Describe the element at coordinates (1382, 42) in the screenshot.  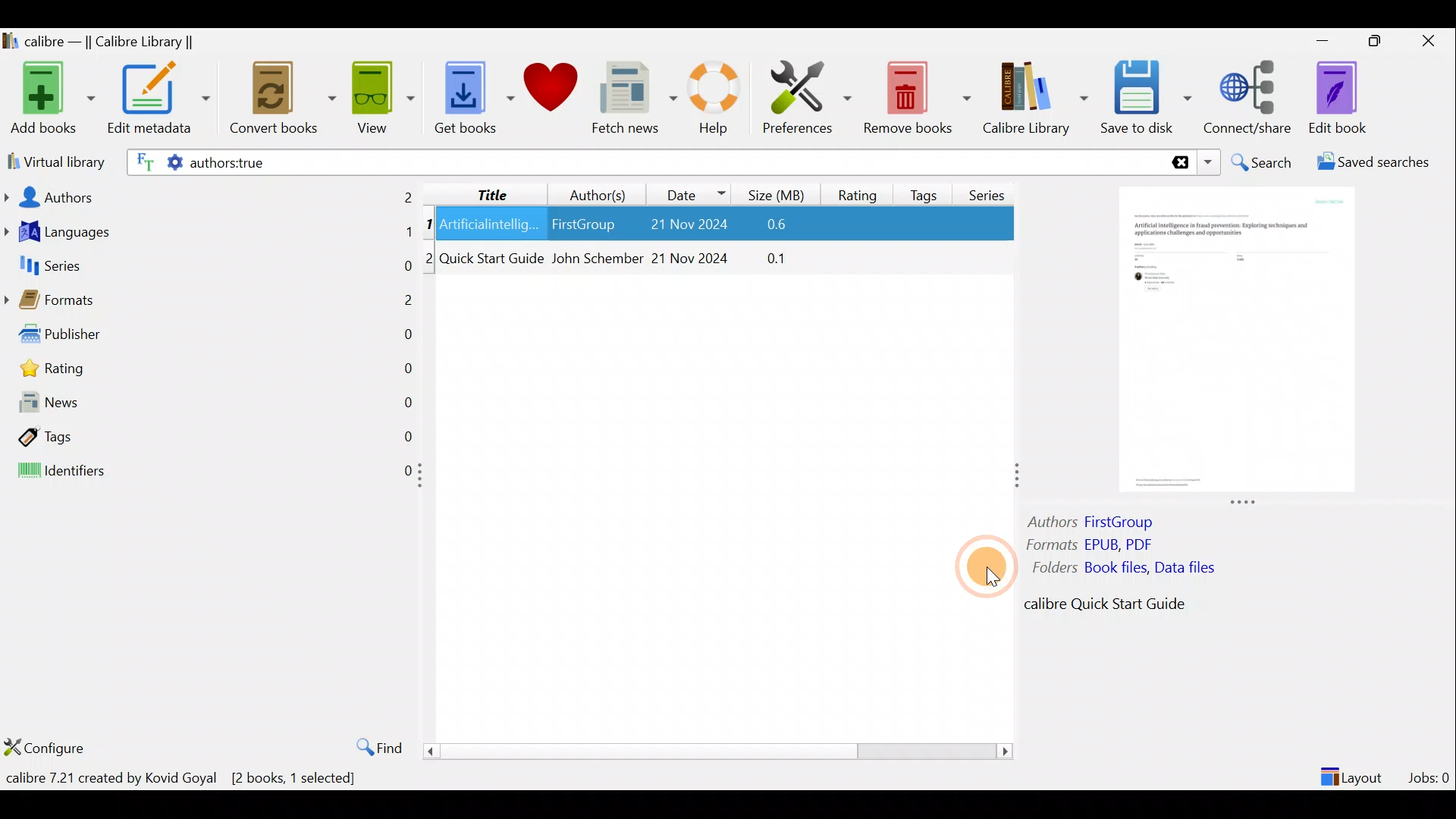
I see `Maximize` at that location.